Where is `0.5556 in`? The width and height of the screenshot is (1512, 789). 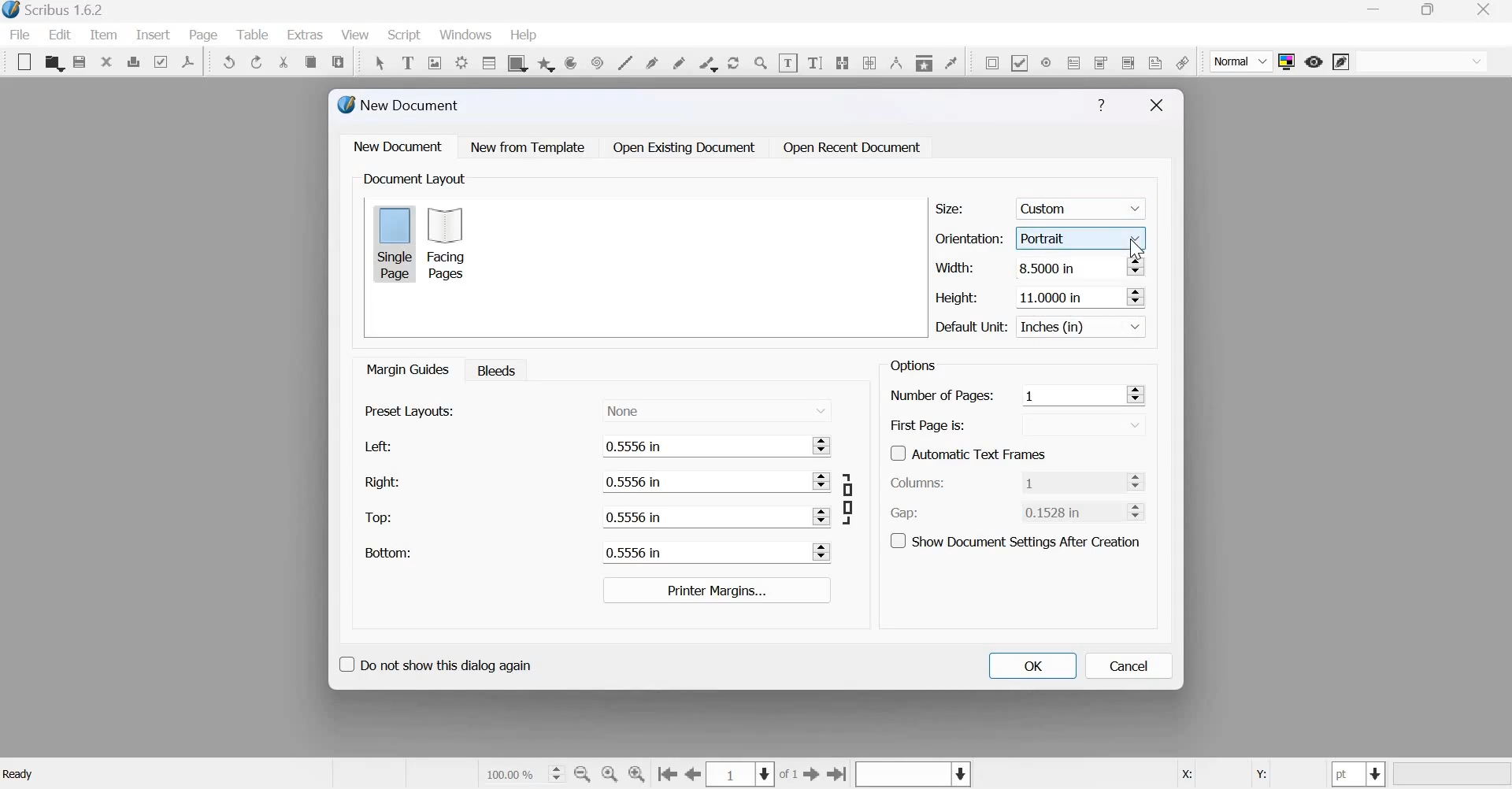
0.5556 in is located at coordinates (699, 516).